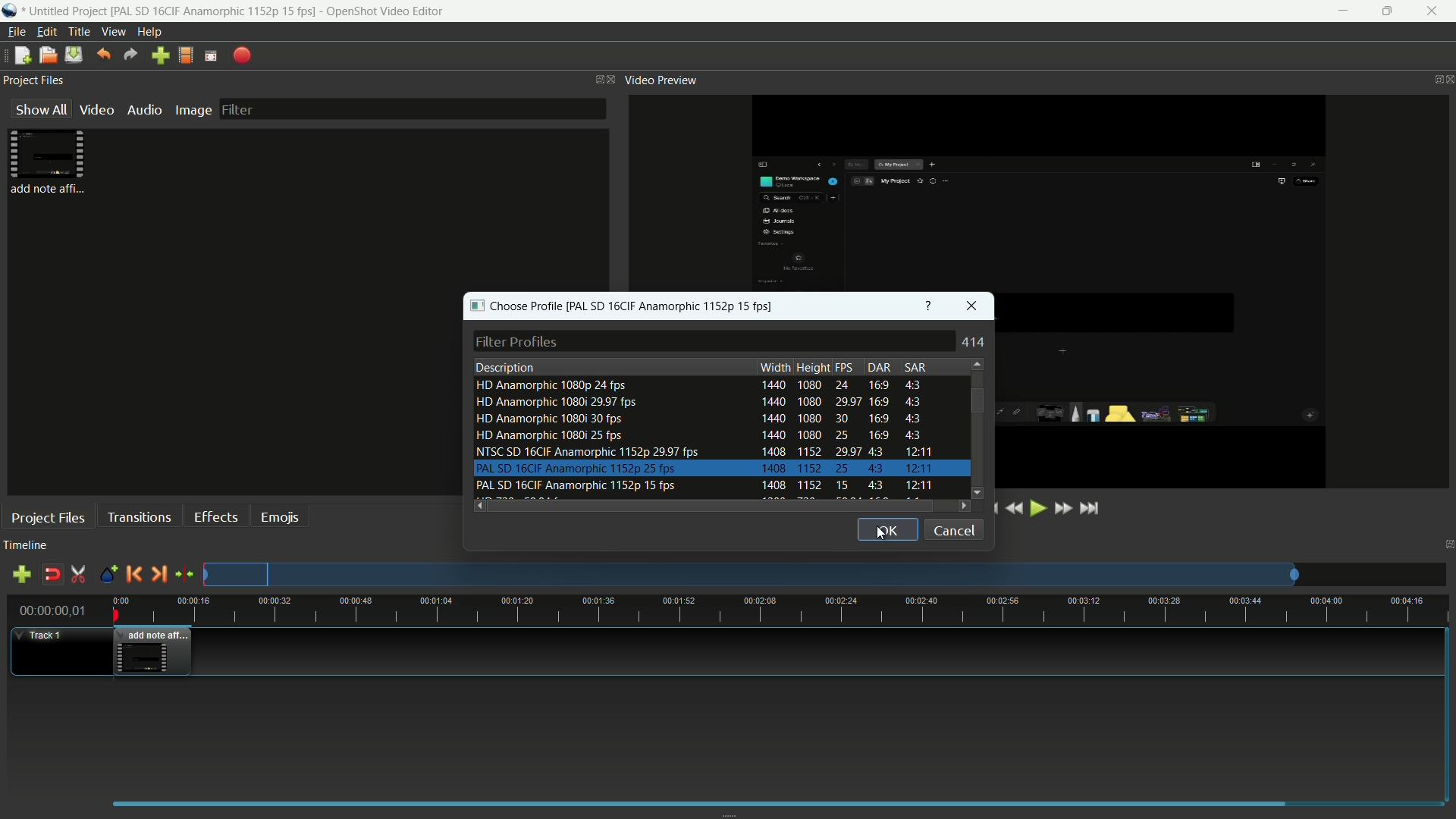 Image resolution: width=1456 pixels, height=819 pixels. Describe the element at coordinates (674, 306) in the screenshot. I see `current profile` at that location.